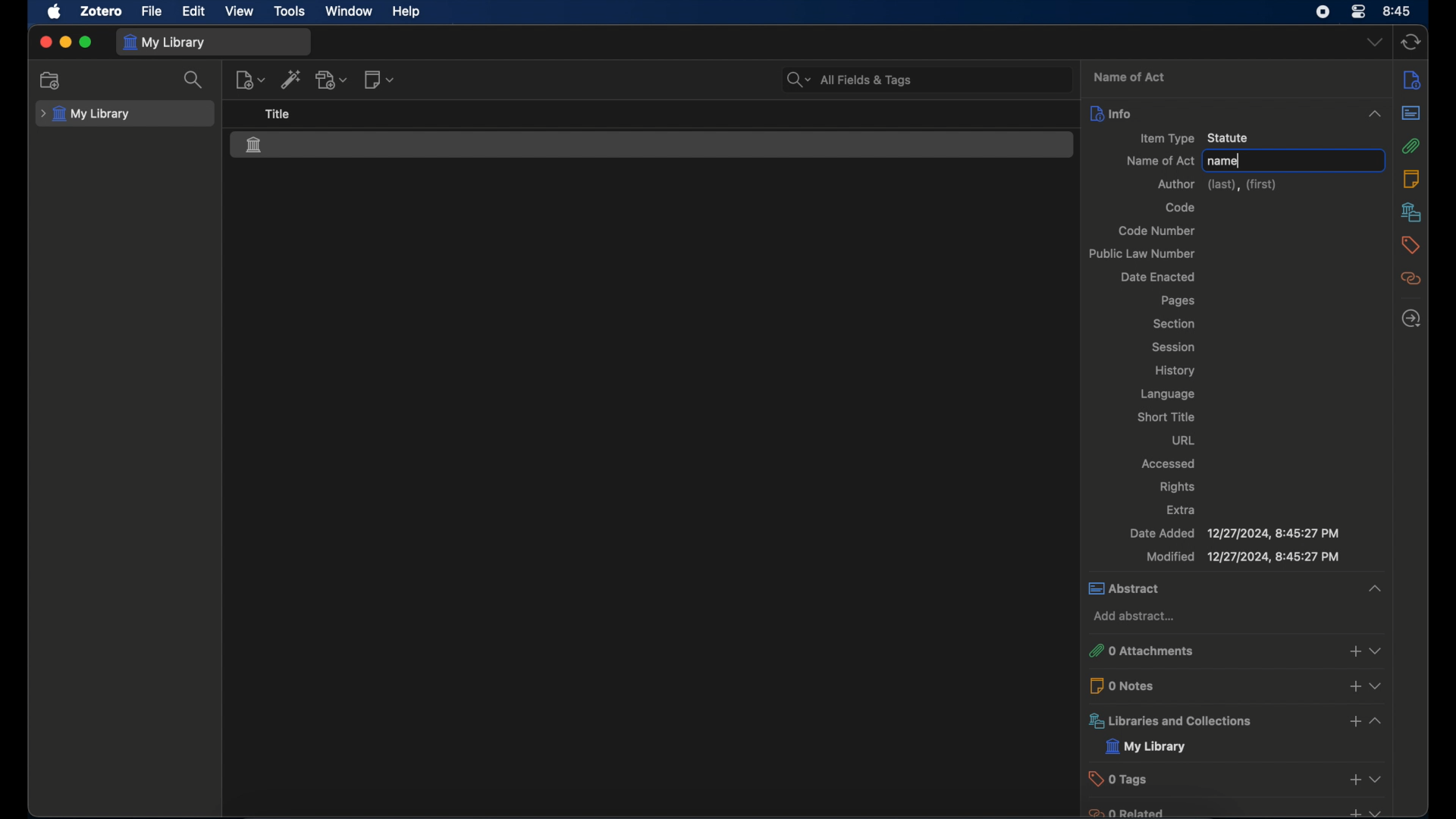 The height and width of the screenshot is (819, 1456). I want to click on my library, so click(87, 115).